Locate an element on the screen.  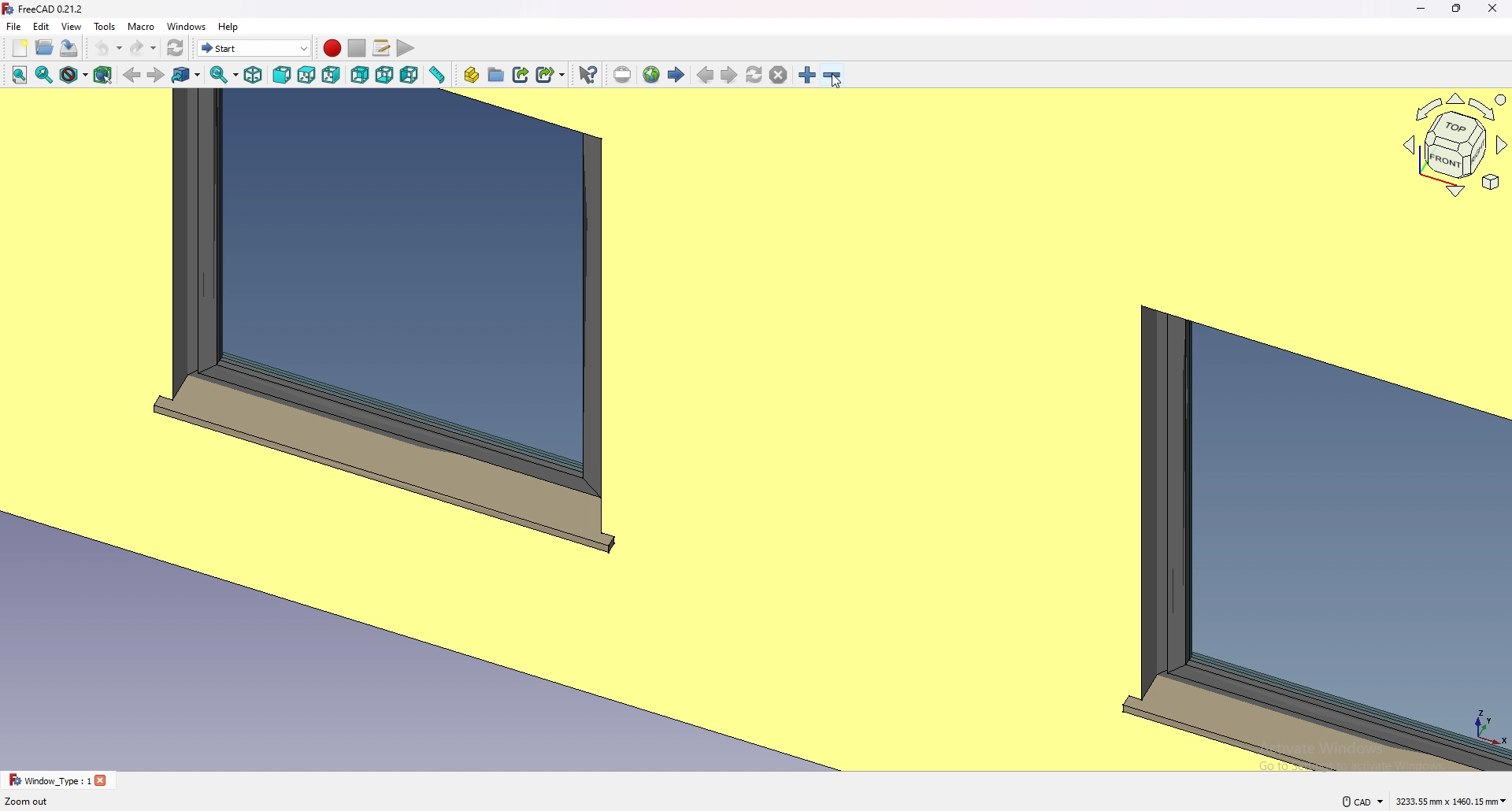
tab 1 is located at coordinates (58, 780).